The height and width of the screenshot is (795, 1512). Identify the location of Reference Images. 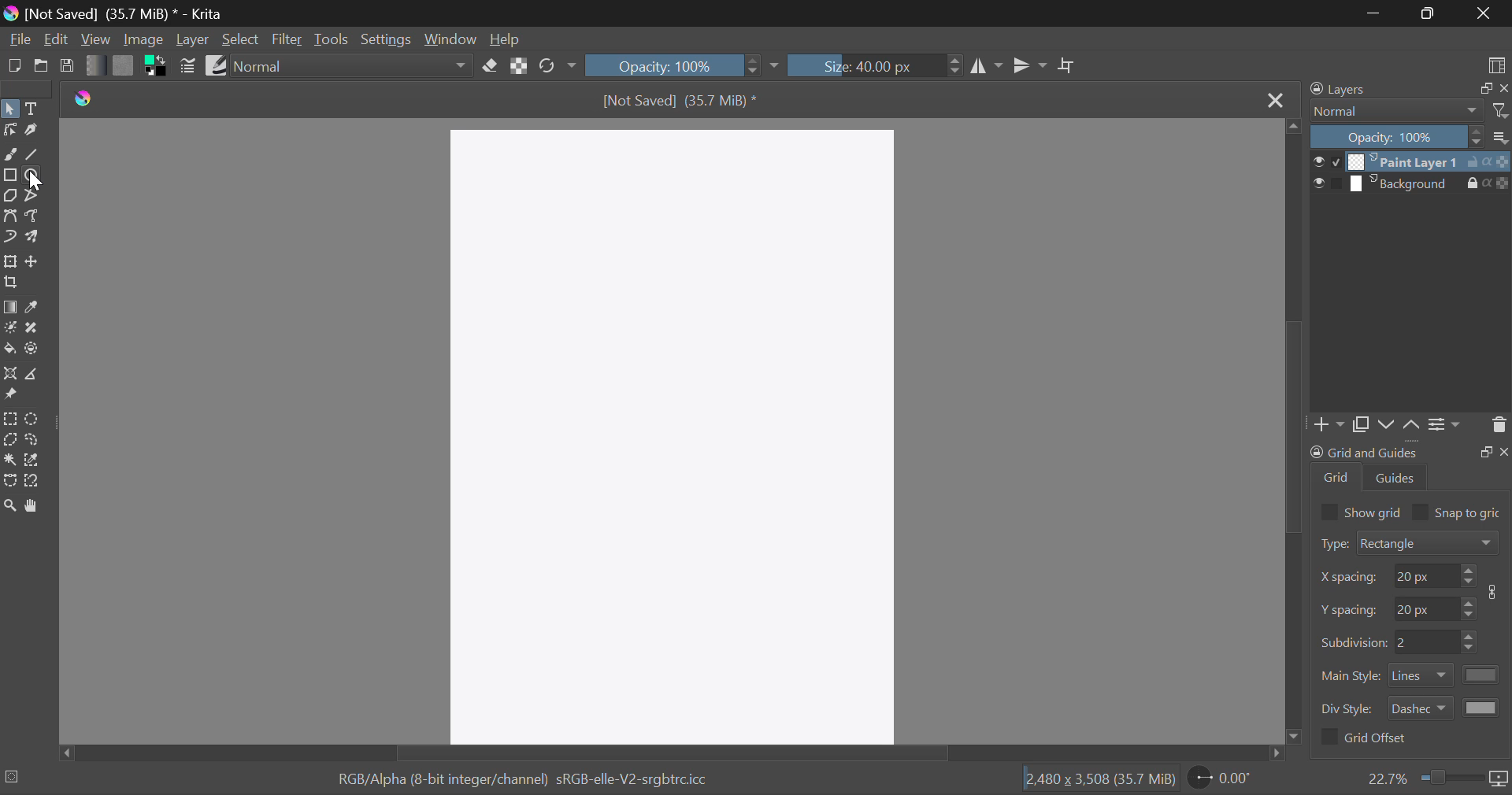
(9, 394).